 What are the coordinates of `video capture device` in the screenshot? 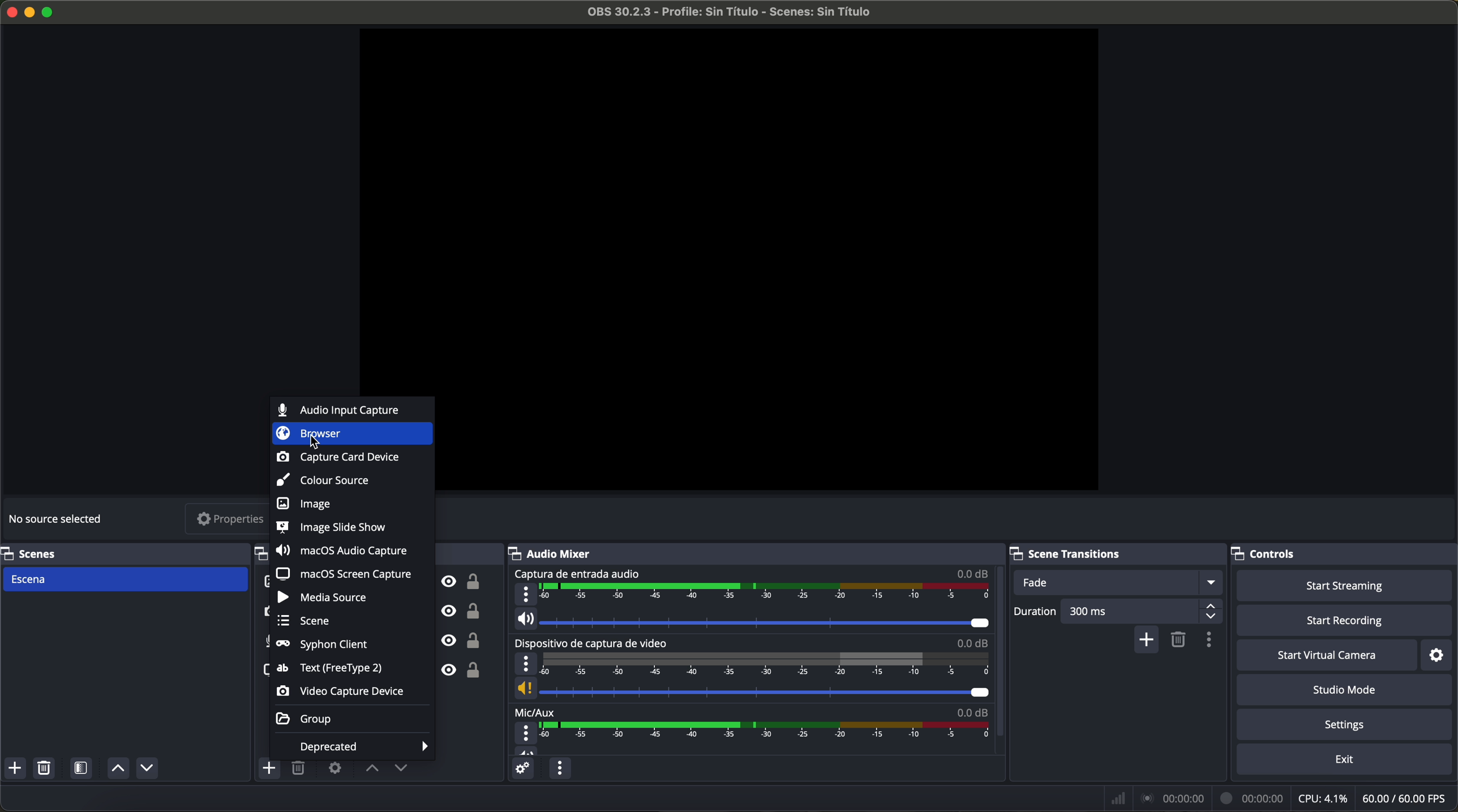 It's located at (269, 612).